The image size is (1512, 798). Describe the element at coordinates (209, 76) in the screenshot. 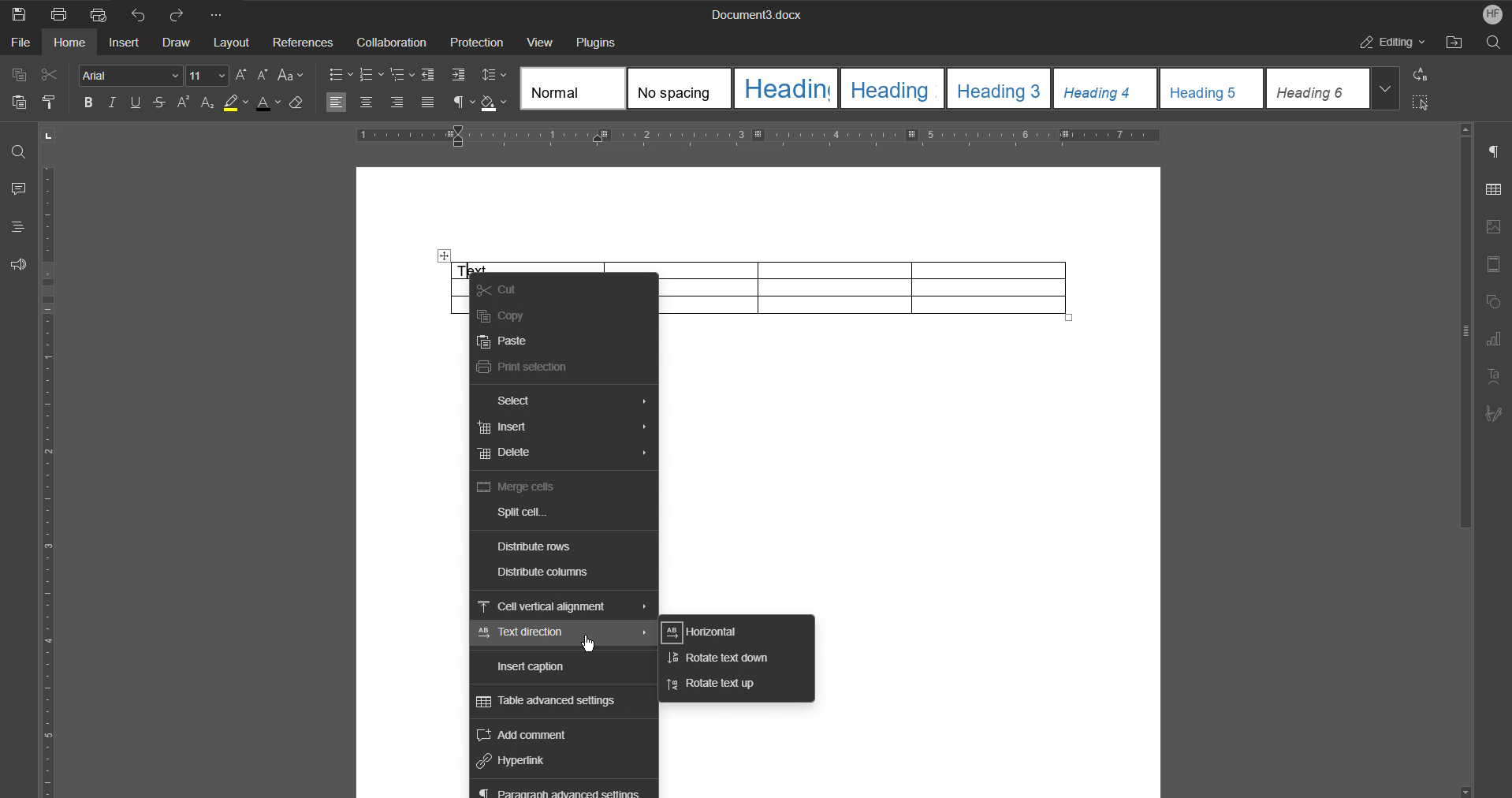

I see `Font size` at that location.